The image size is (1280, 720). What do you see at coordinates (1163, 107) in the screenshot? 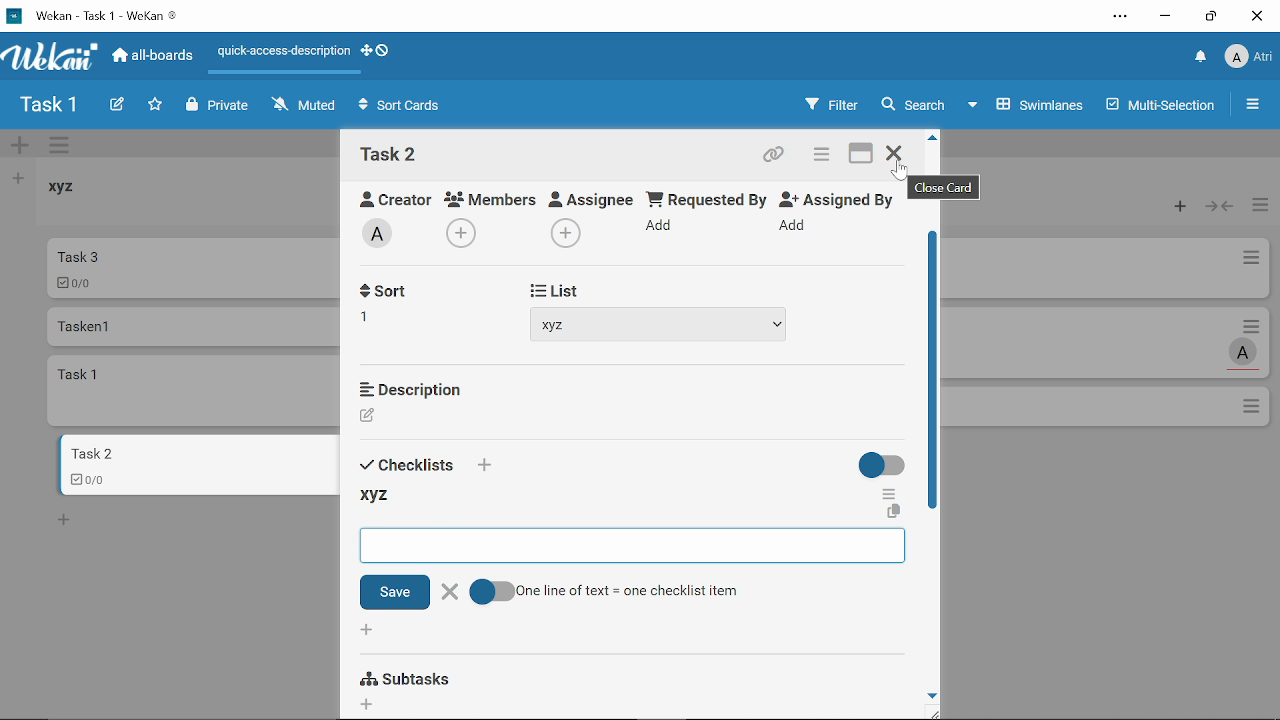
I see `Multilanes` at bounding box center [1163, 107].